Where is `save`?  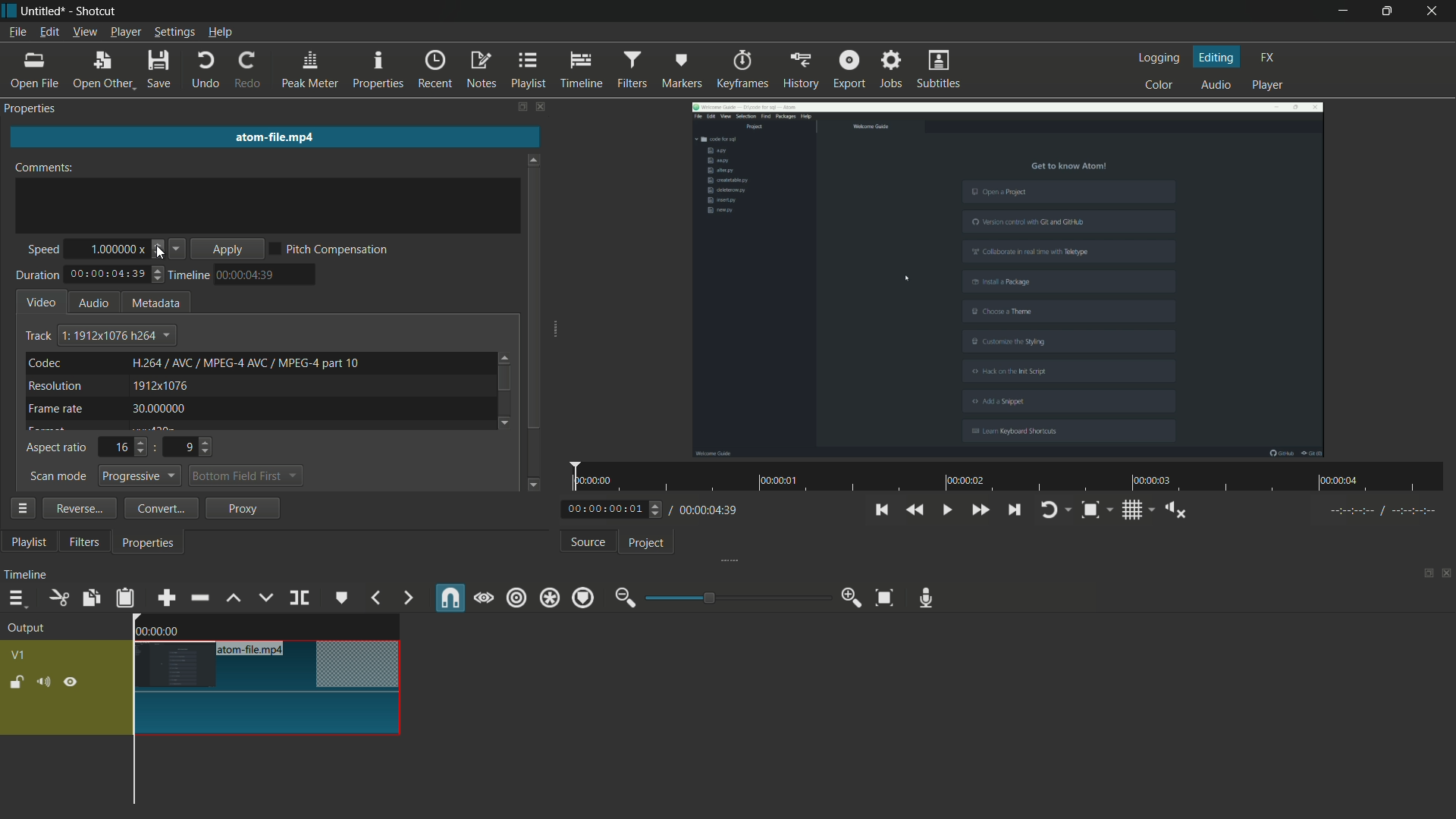 save is located at coordinates (160, 71).